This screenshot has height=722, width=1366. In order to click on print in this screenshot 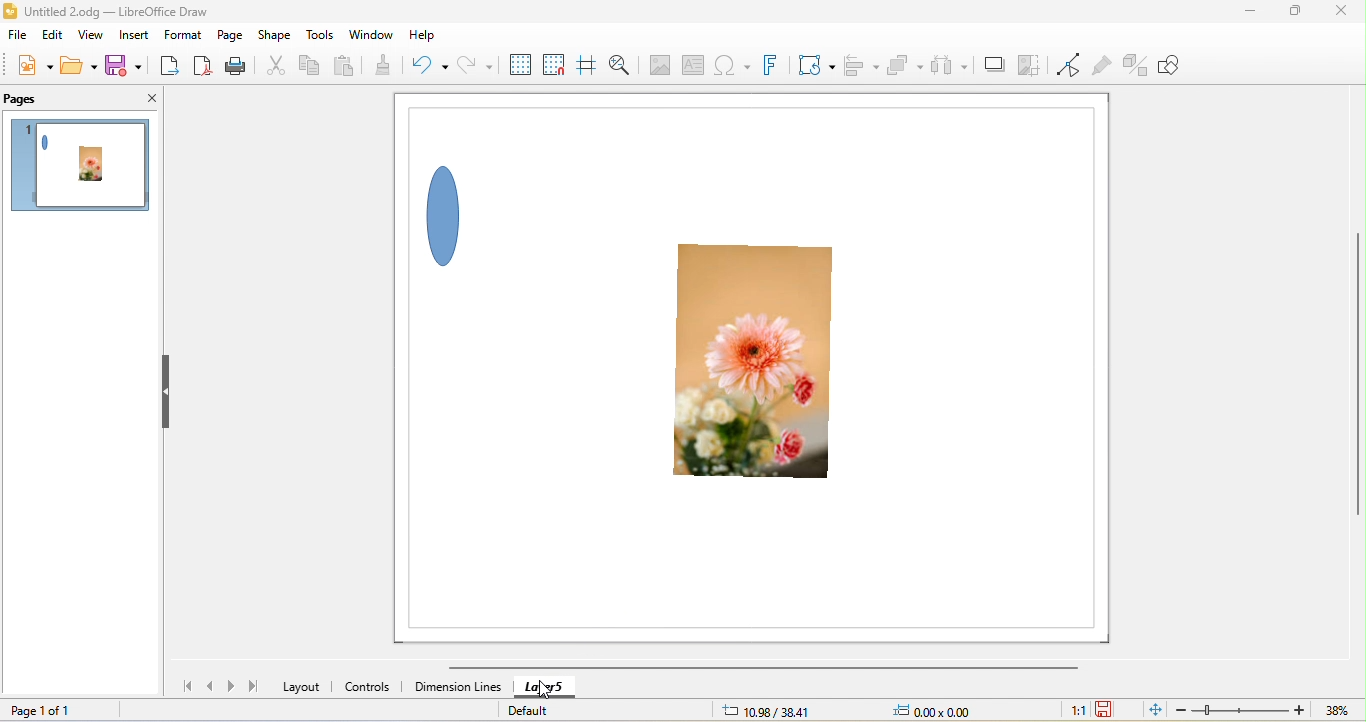, I will do `click(243, 67)`.